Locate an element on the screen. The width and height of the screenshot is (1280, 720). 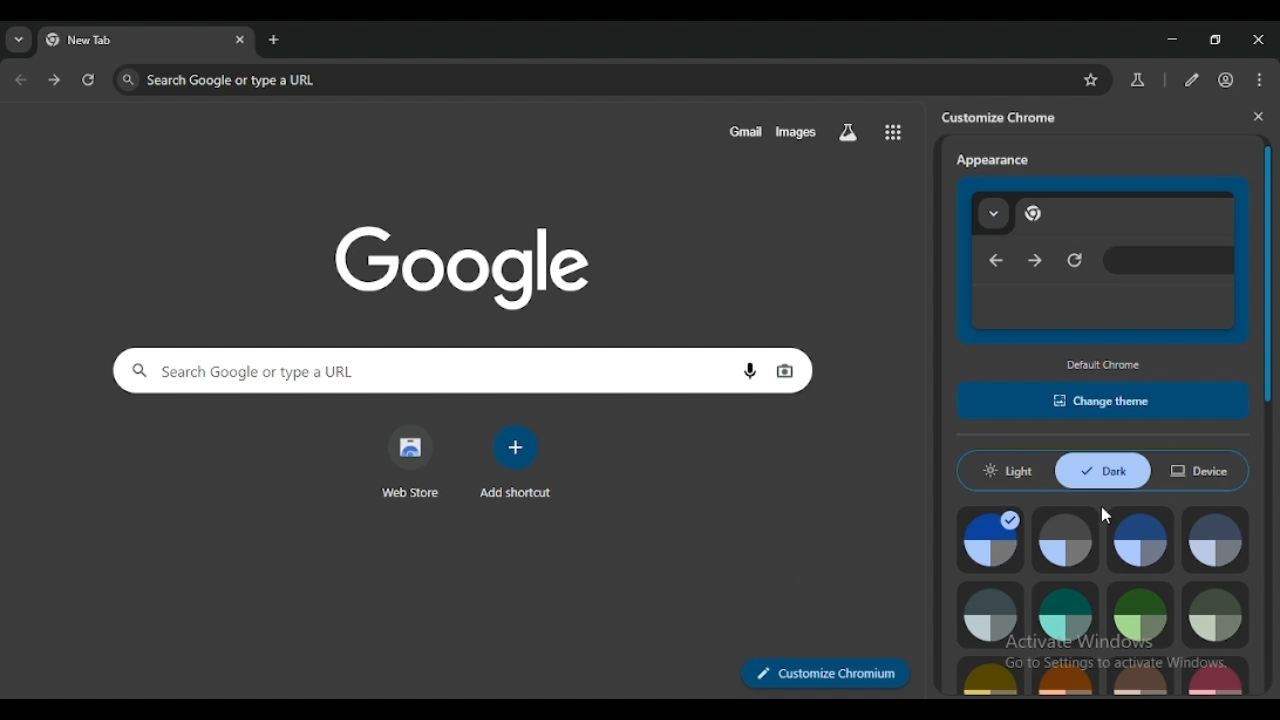
google logo is located at coordinates (464, 266).